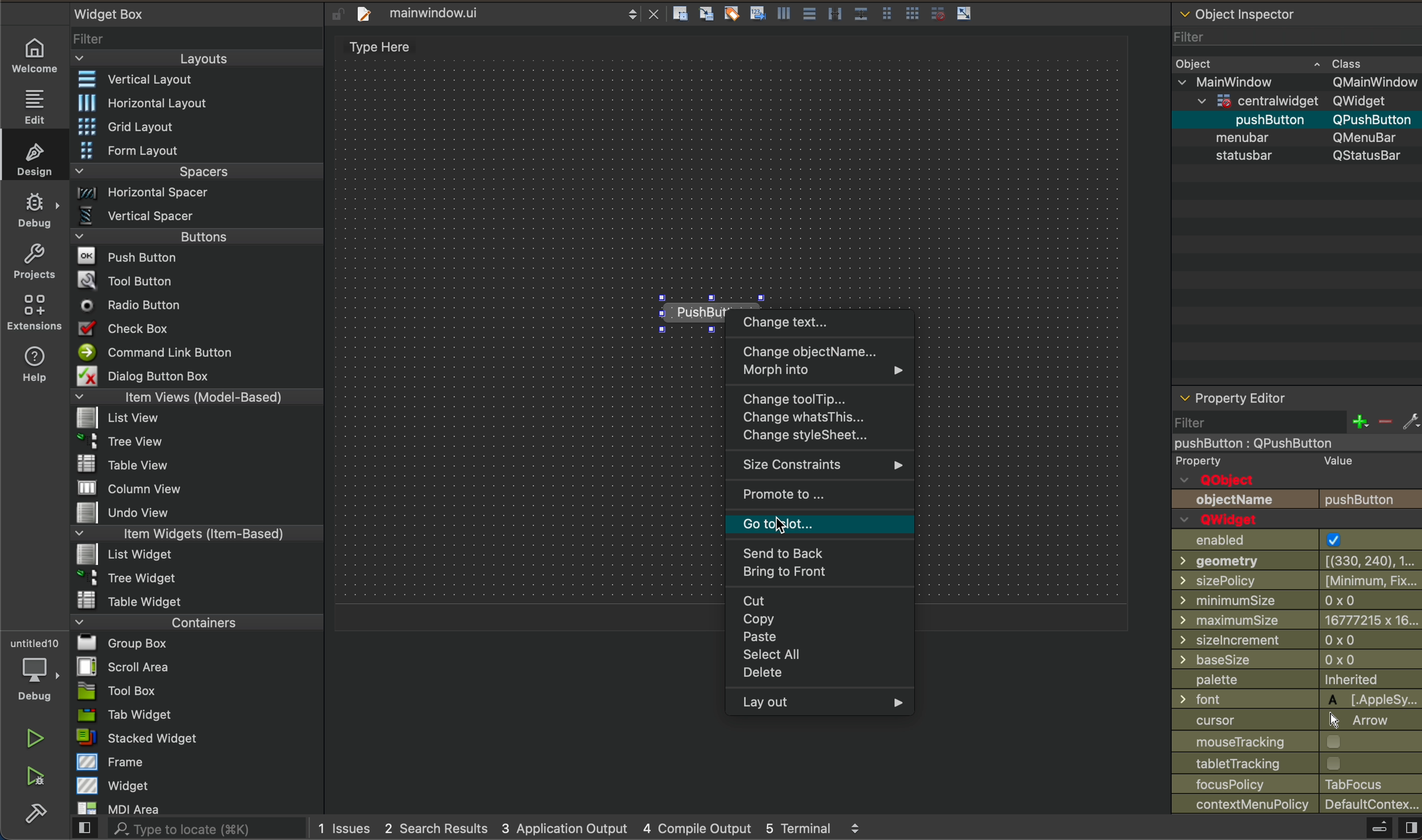  What do you see at coordinates (188, 830) in the screenshot?
I see `search bar` at bounding box center [188, 830].